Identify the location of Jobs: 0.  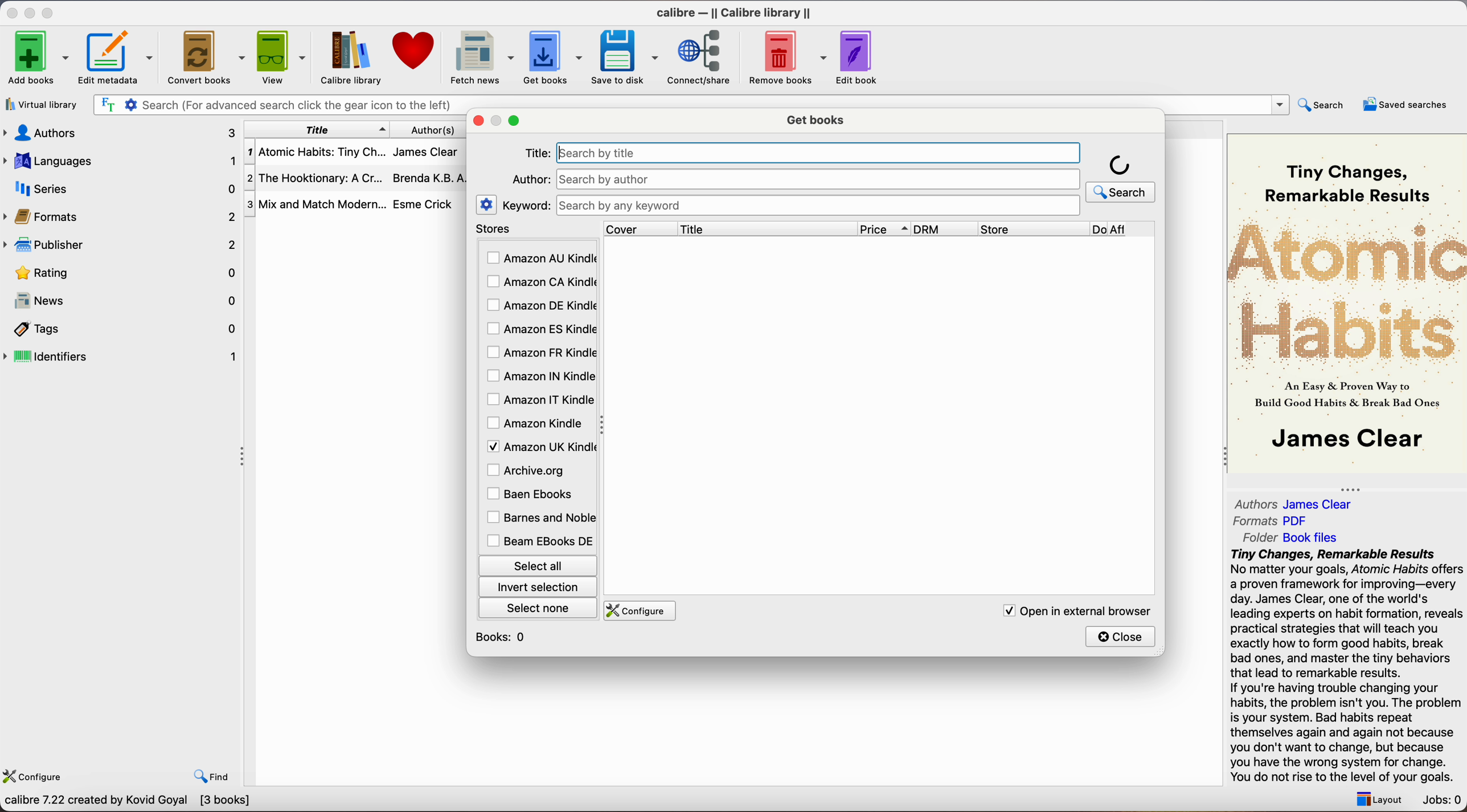
(1443, 801).